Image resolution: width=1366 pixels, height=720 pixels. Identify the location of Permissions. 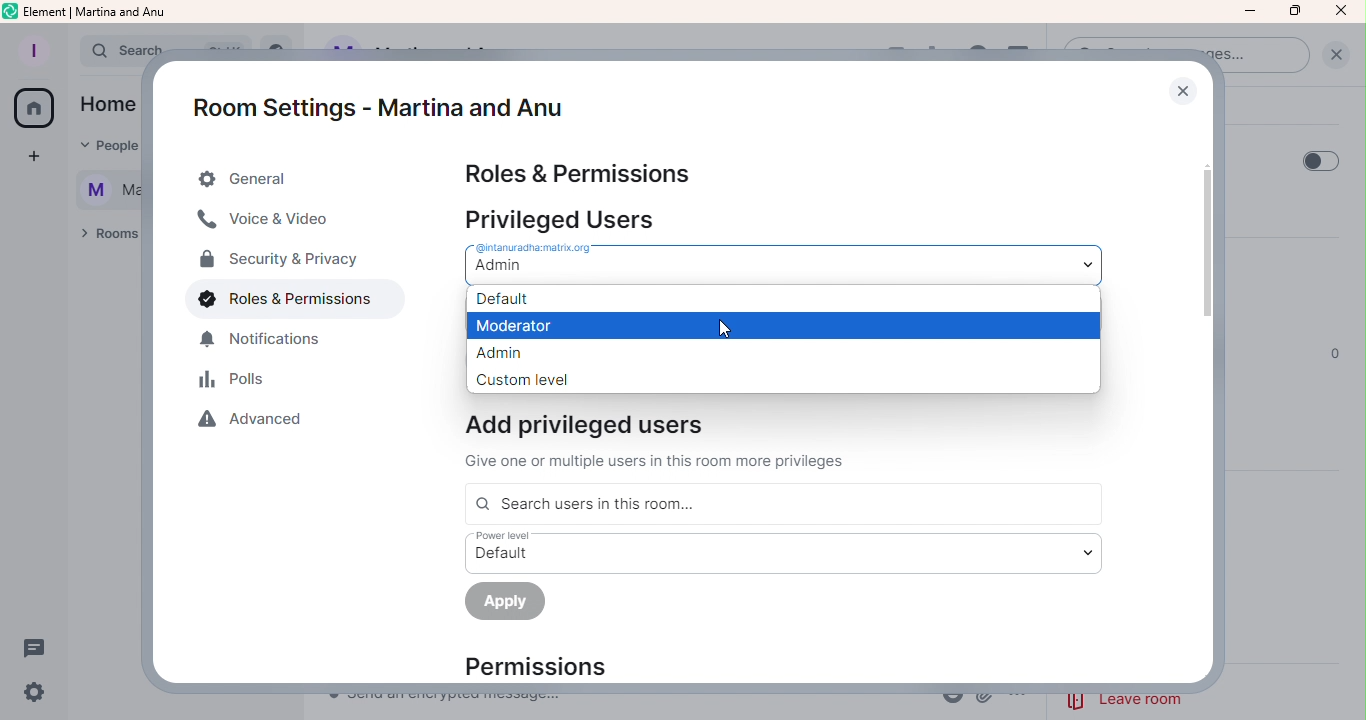
(553, 666).